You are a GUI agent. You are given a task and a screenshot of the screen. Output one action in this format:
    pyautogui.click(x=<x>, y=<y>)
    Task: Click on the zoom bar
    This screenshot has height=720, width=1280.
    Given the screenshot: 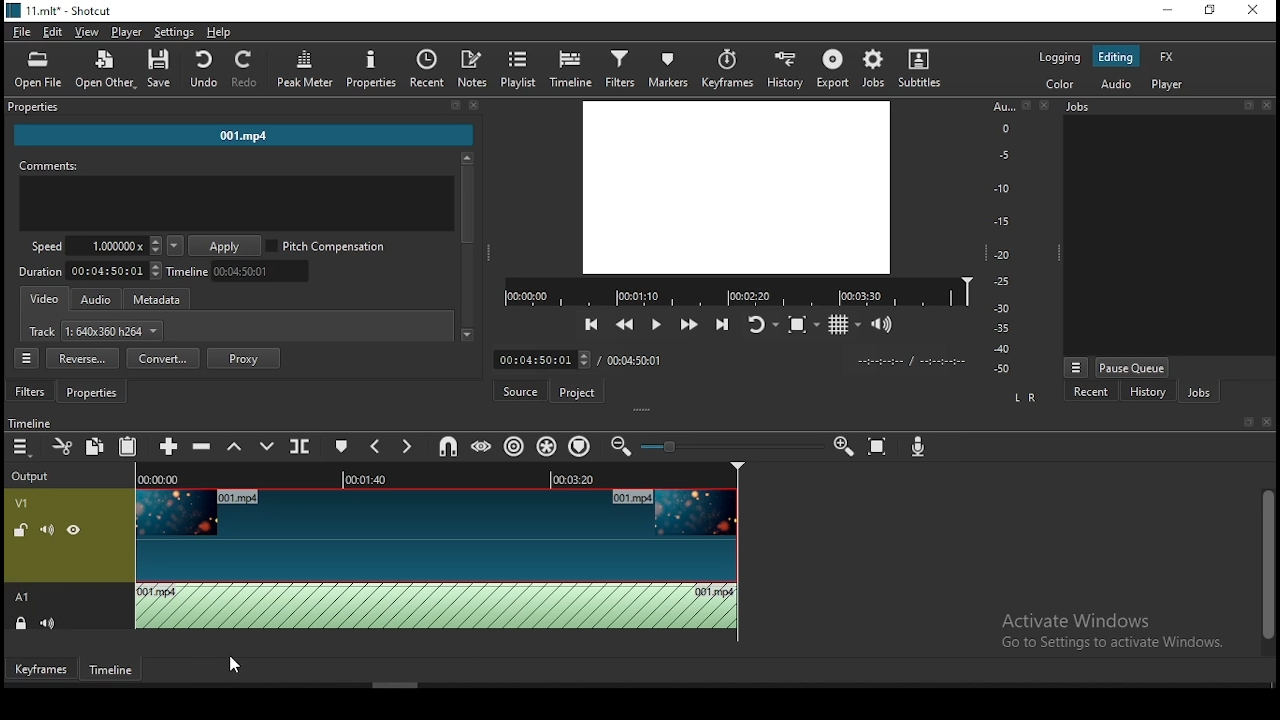 What is the action you would take?
    pyautogui.click(x=729, y=446)
    